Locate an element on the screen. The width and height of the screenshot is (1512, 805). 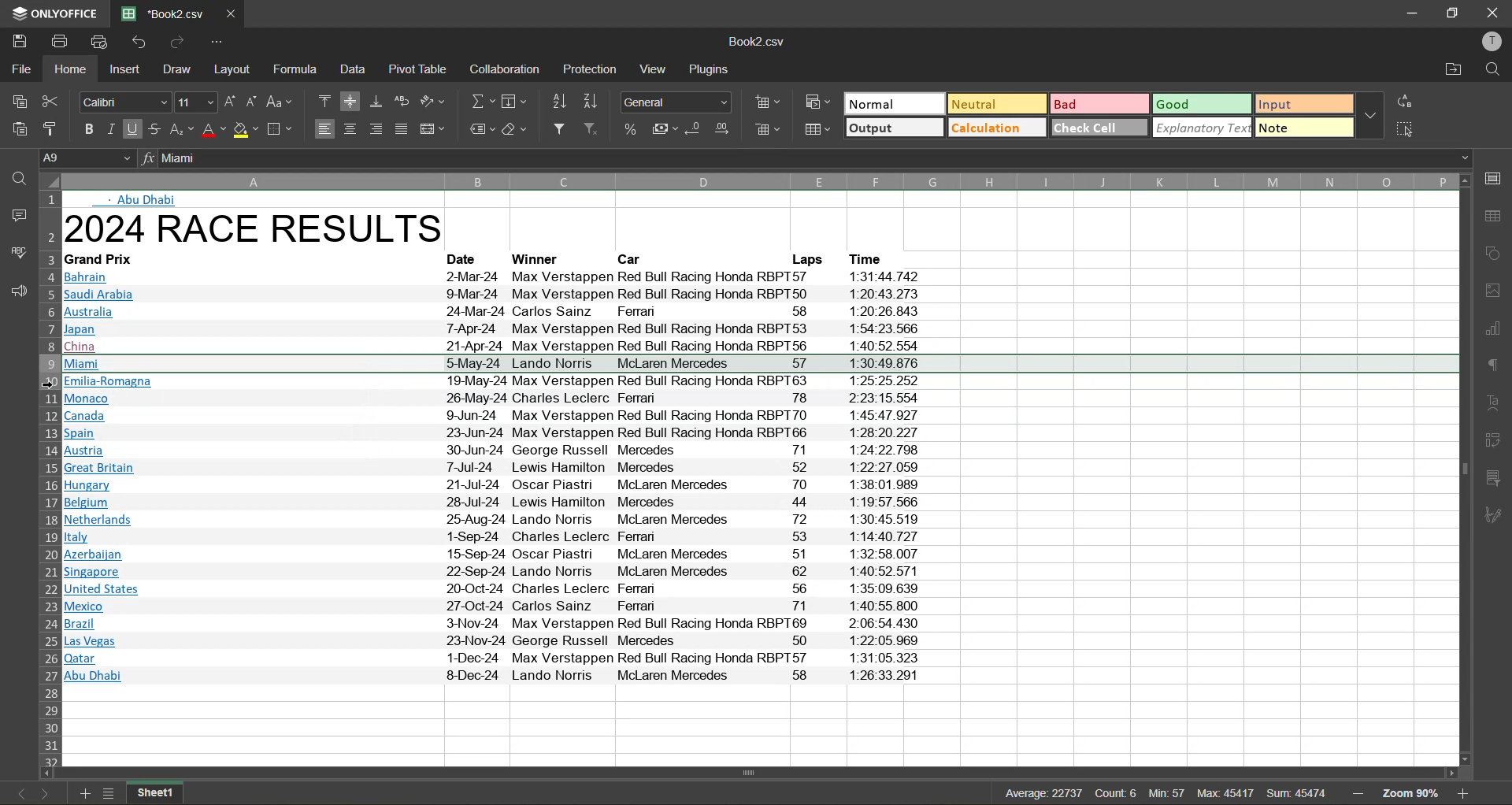
file name: Book2.csv is located at coordinates (762, 42).